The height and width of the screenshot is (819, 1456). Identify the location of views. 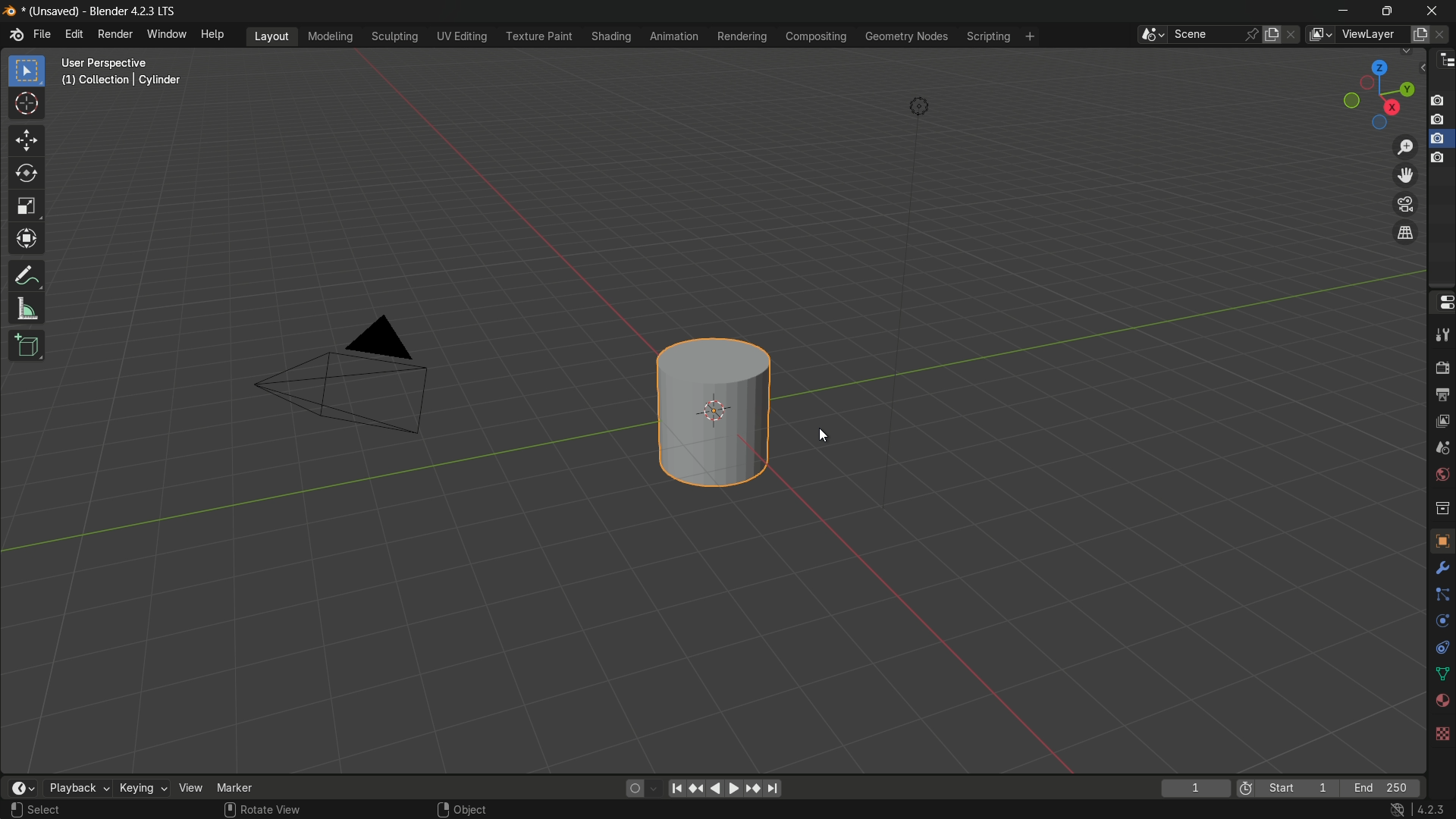
(1319, 35).